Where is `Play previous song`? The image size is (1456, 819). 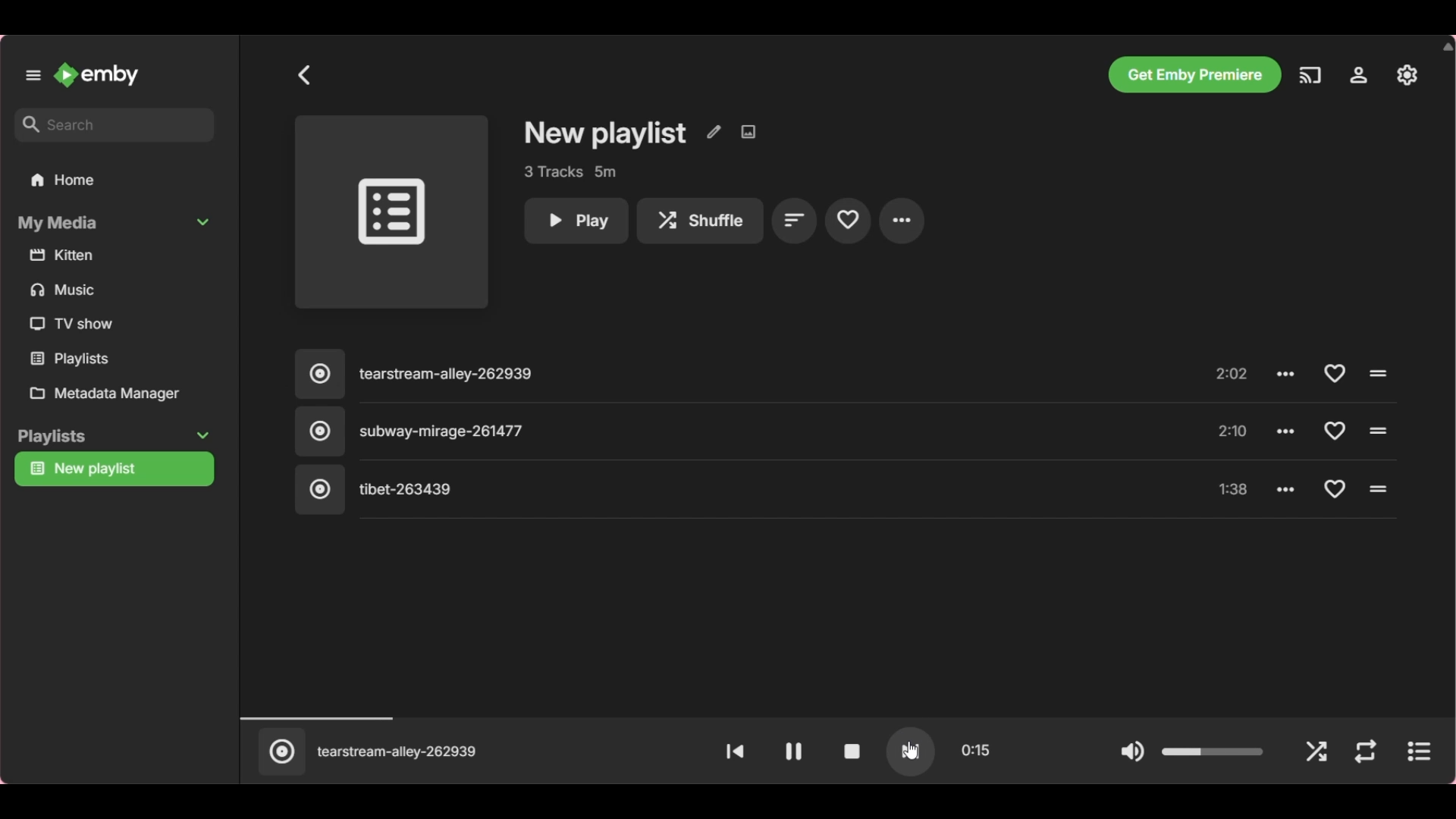 Play previous song is located at coordinates (733, 750).